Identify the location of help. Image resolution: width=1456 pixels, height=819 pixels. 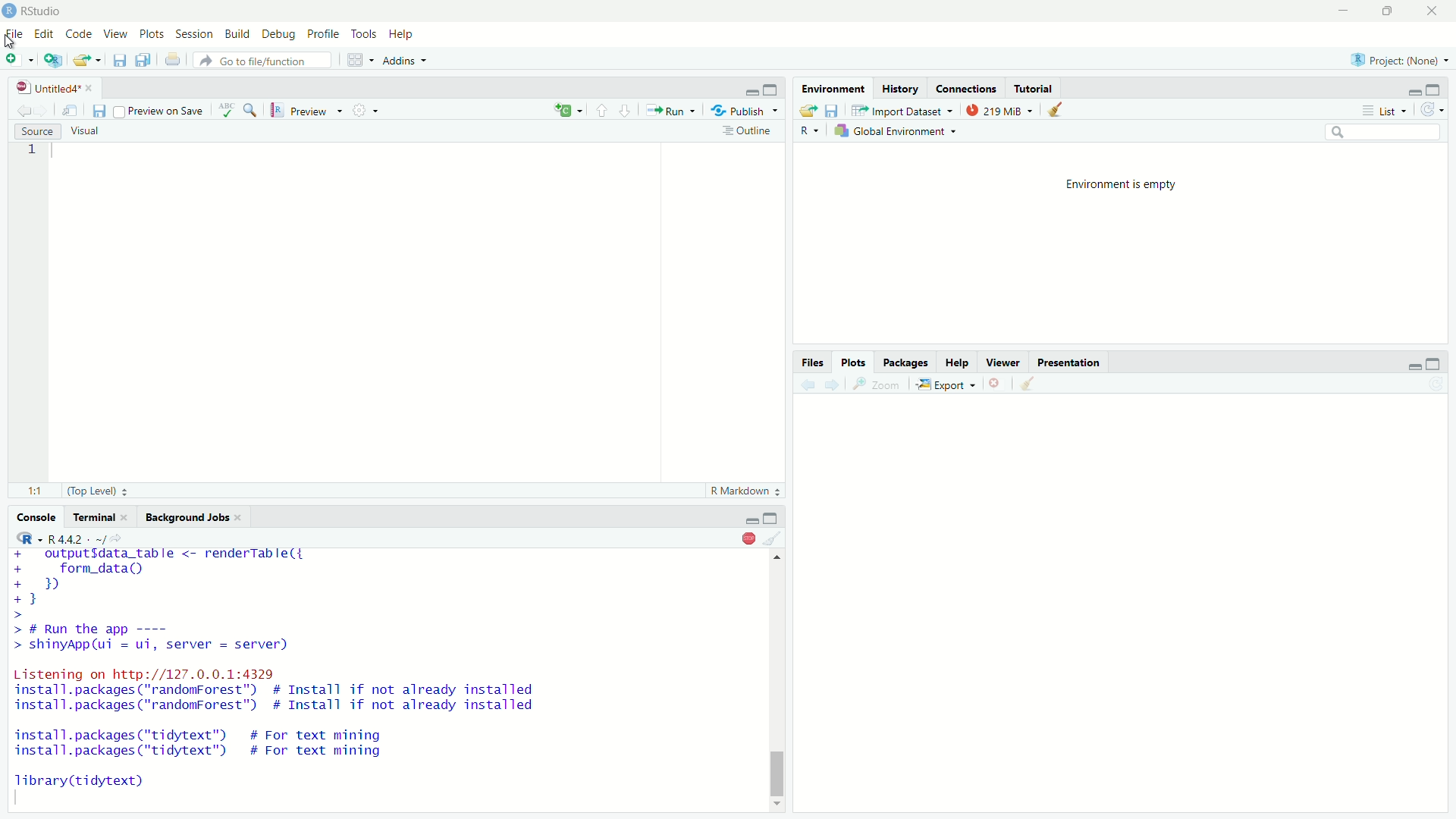
(957, 363).